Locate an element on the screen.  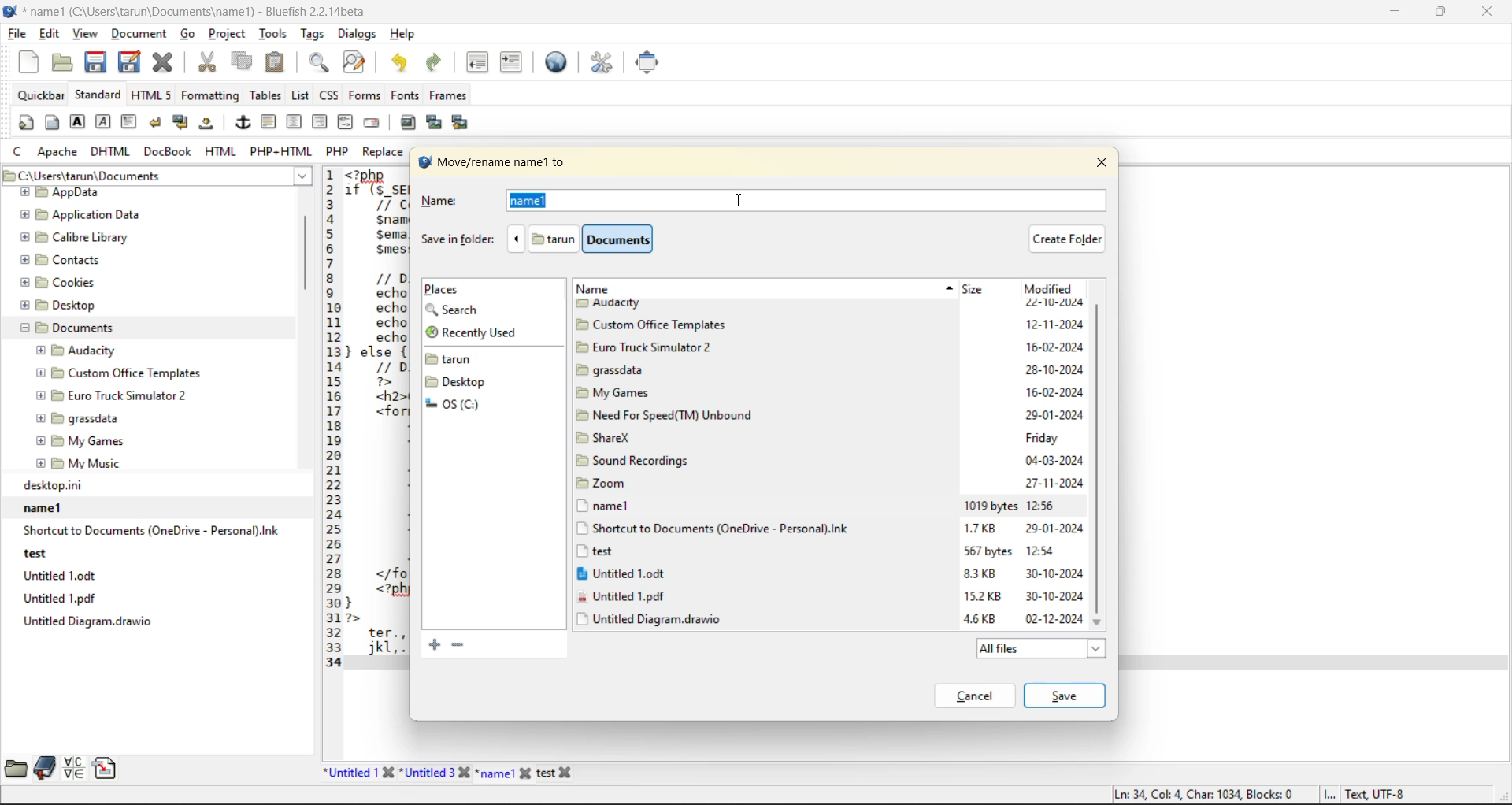
go is located at coordinates (187, 35).